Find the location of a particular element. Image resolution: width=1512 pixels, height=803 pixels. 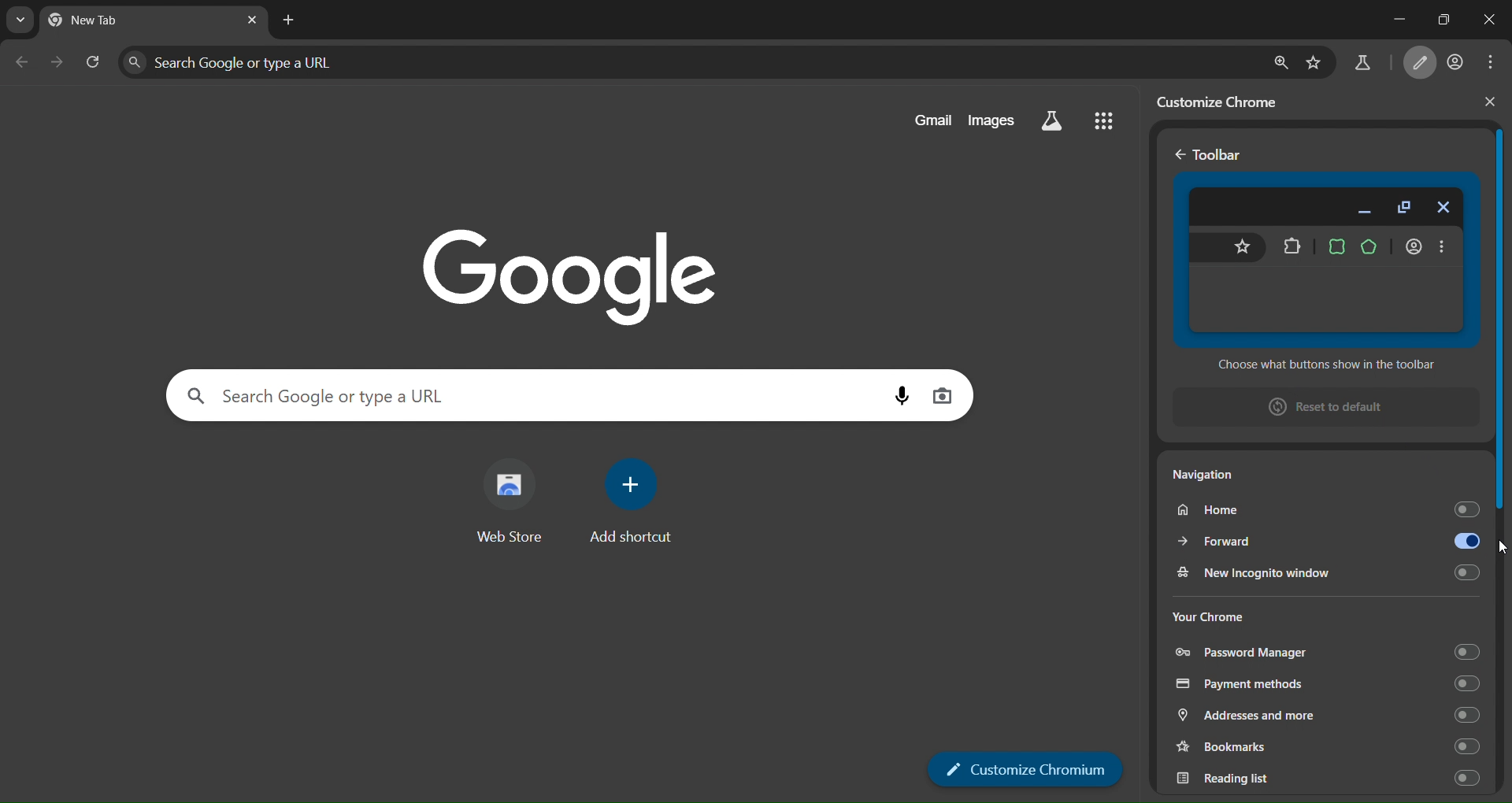

go forward one page is located at coordinates (57, 61).